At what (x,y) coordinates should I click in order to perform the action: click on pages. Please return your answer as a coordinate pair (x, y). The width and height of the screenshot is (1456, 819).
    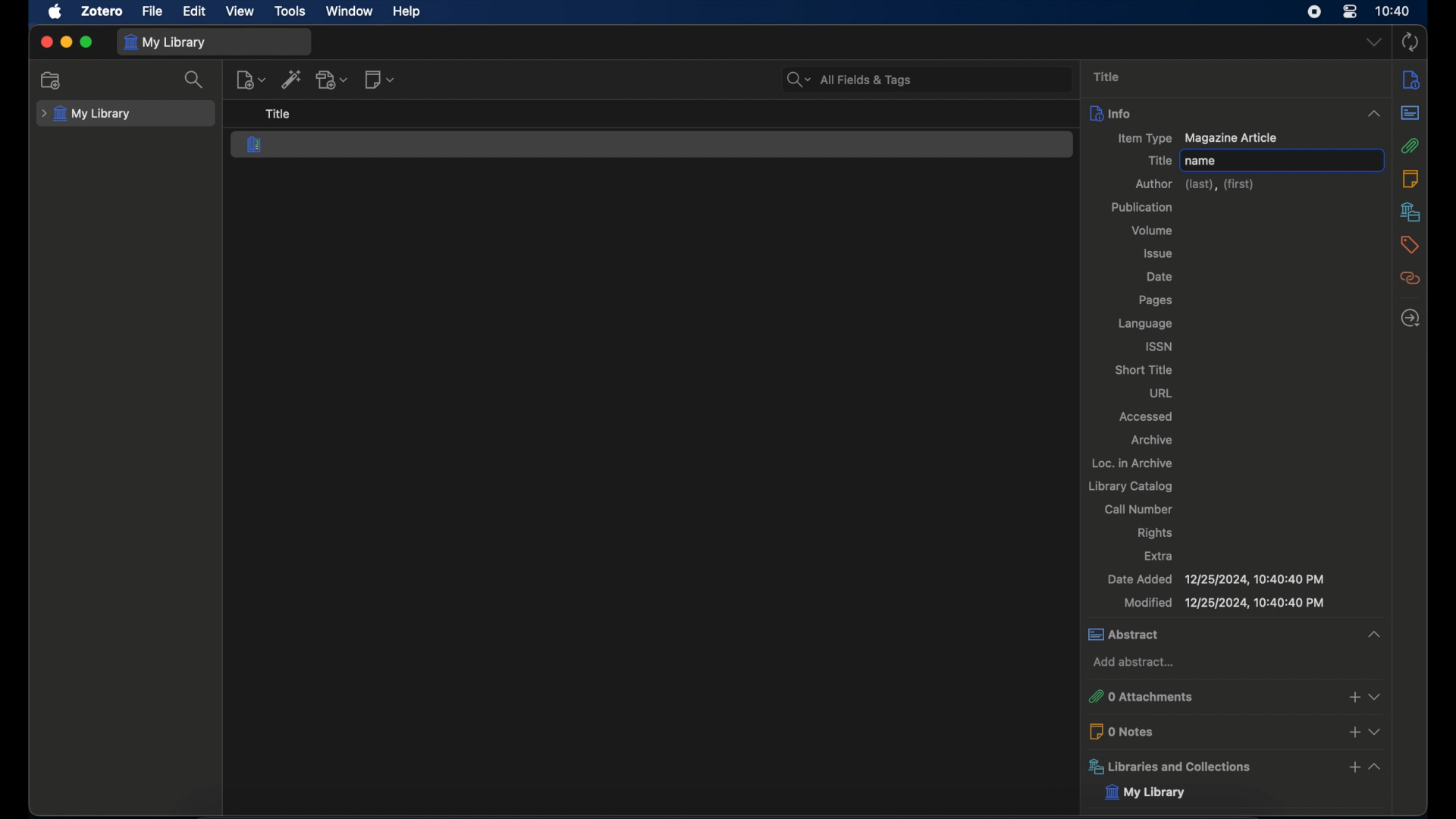
    Looking at the image, I should click on (1155, 300).